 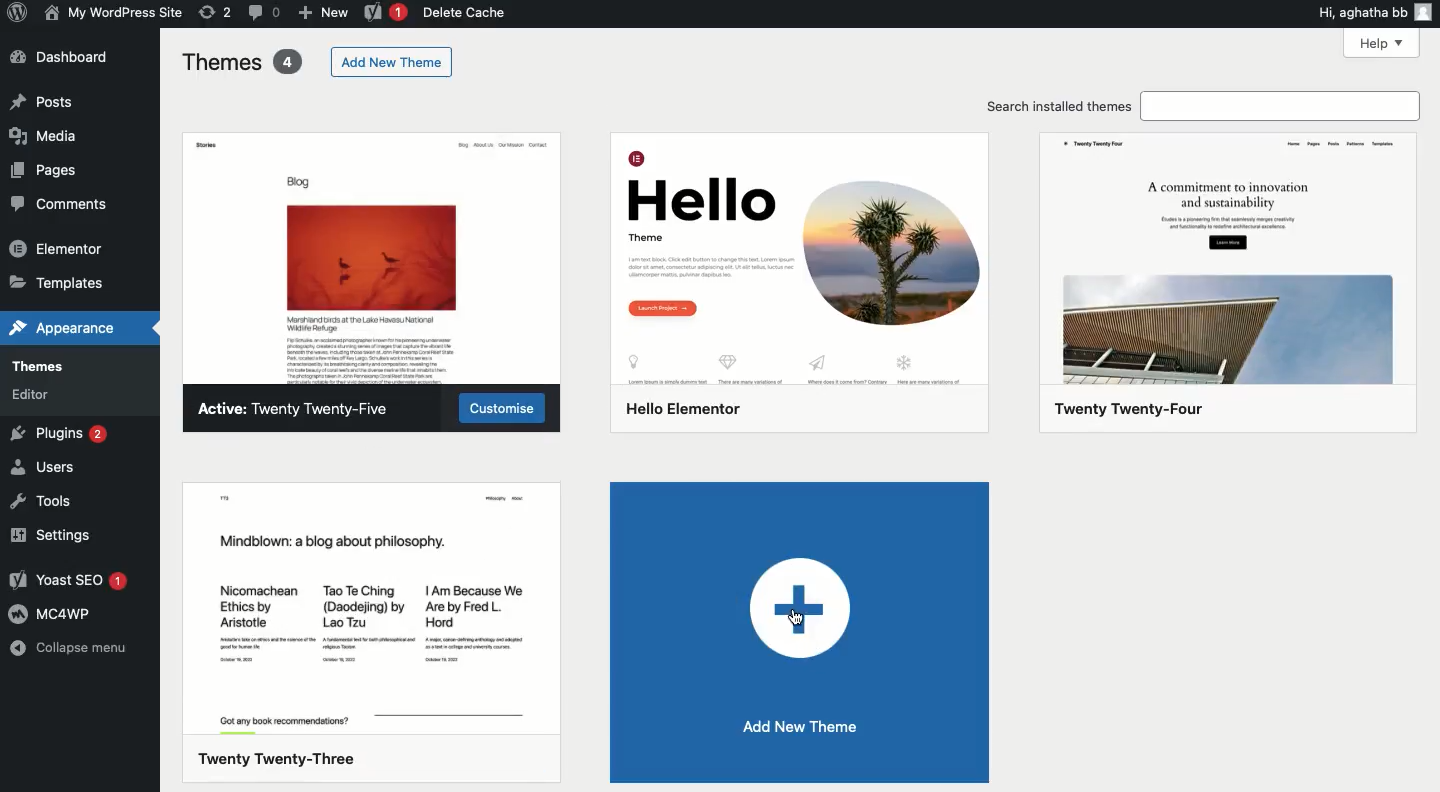 What do you see at coordinates (370, 258) in the screenshot?
I see `Active theme` at bounding box center [370, 258].